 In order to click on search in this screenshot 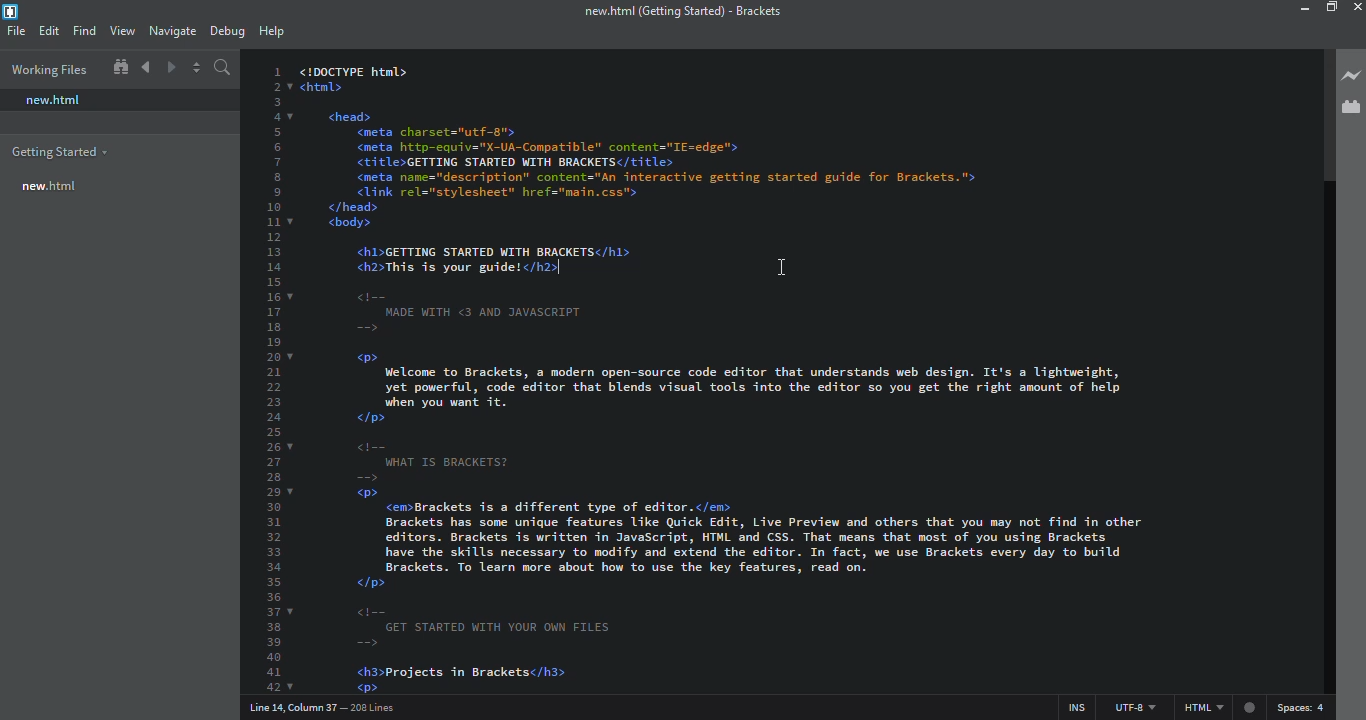, I will do `click(223, 69)`.